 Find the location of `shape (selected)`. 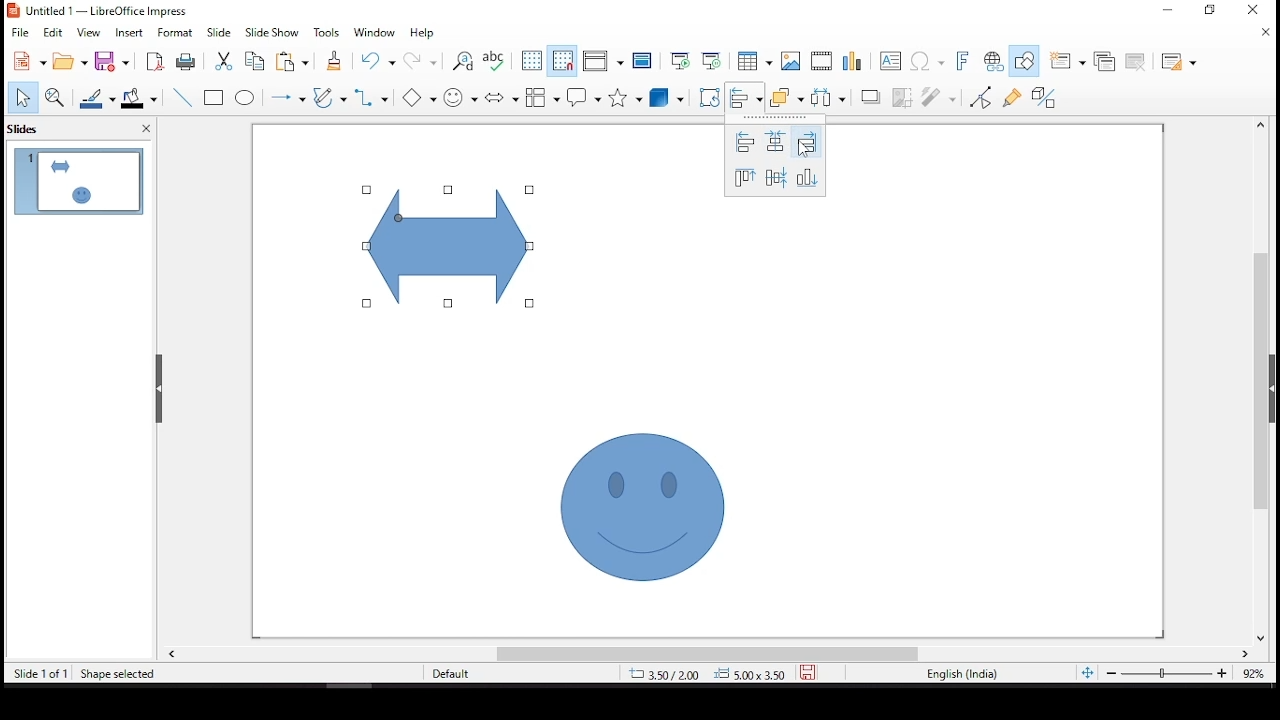

shape (selected) is located at coordinates (451, 242).